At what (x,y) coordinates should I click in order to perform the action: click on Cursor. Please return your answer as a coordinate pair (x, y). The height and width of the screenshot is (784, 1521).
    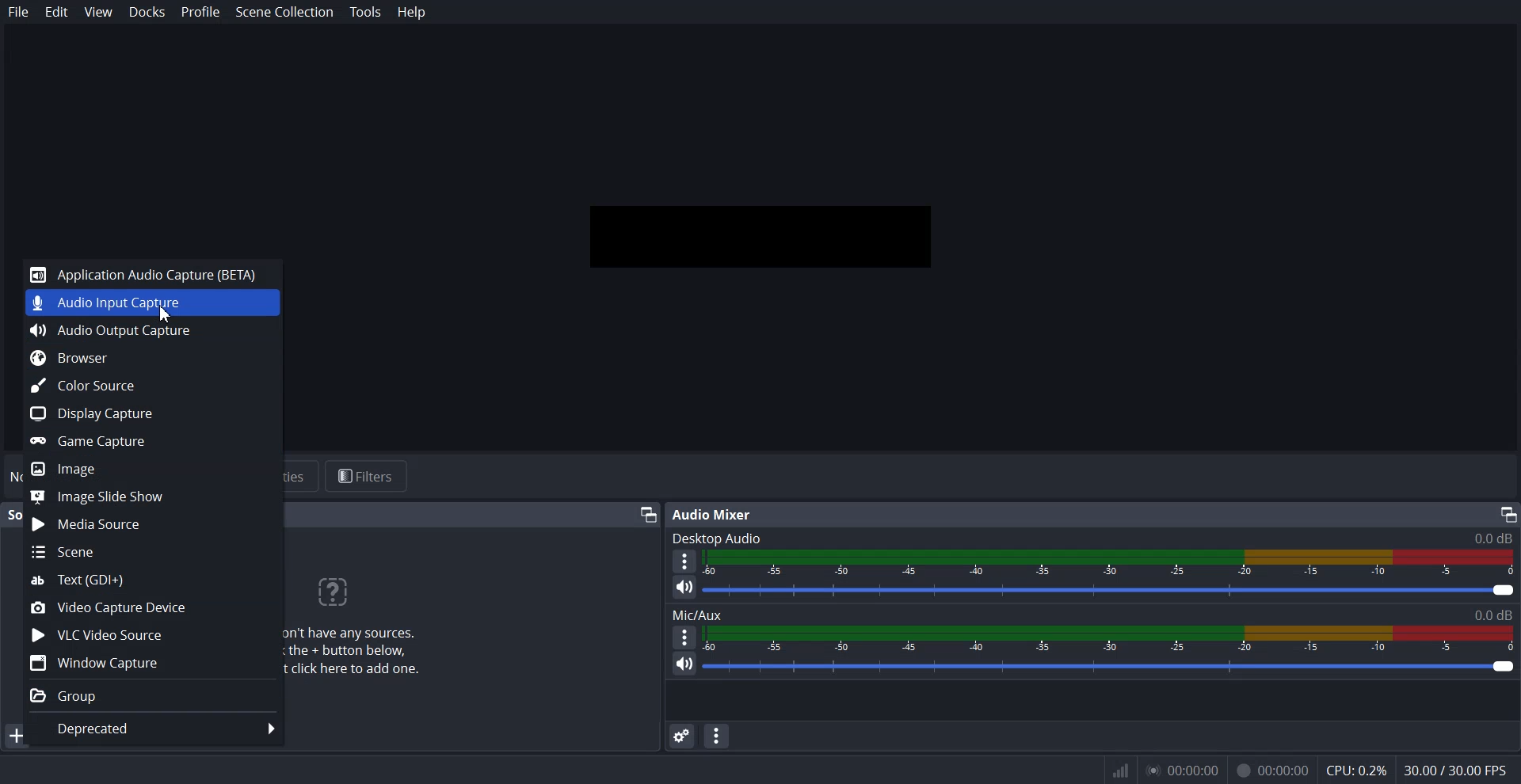
    Looking at the image, I should click on (163, 317).